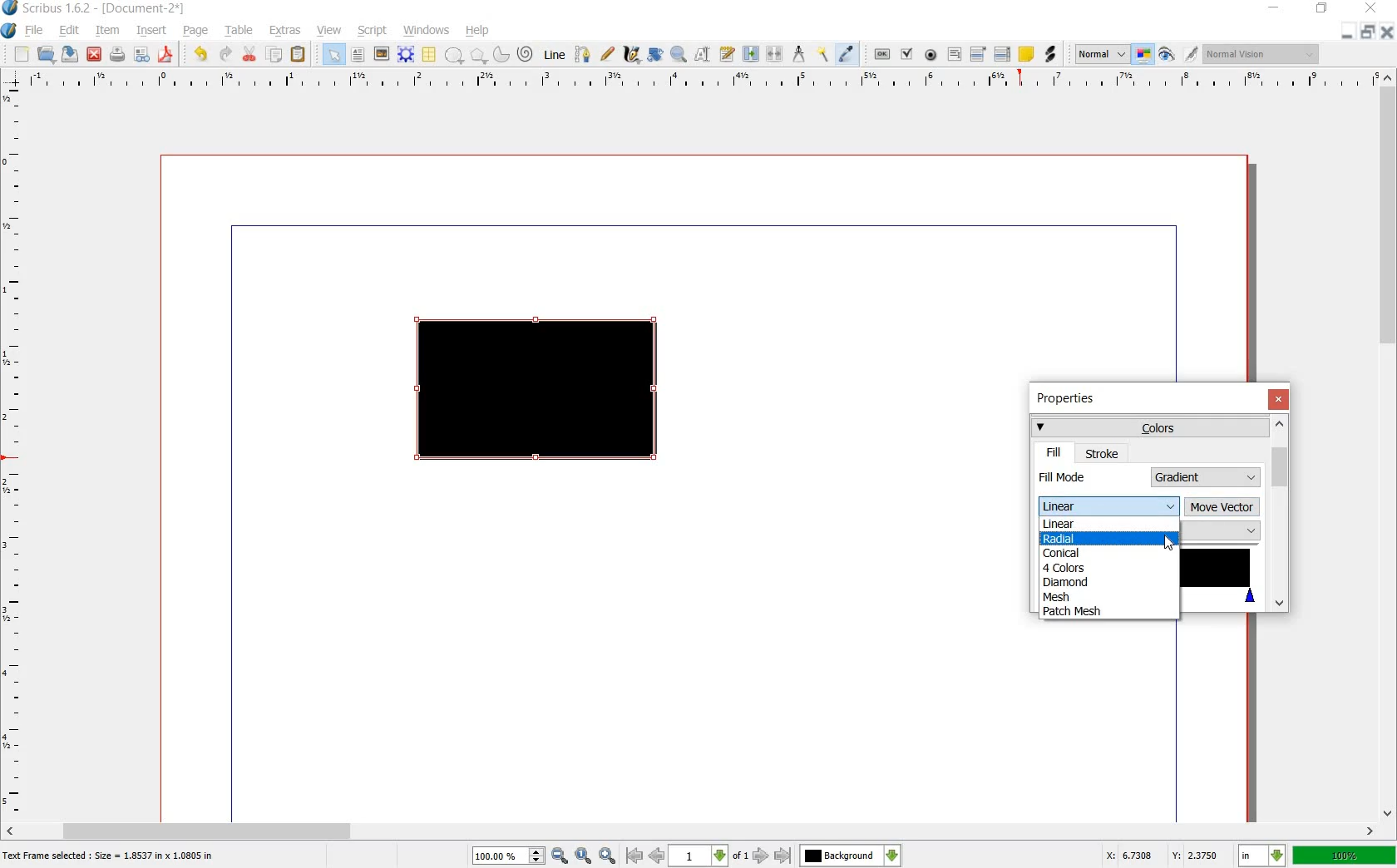  I want to click on save as pdf, so click(165, 55).